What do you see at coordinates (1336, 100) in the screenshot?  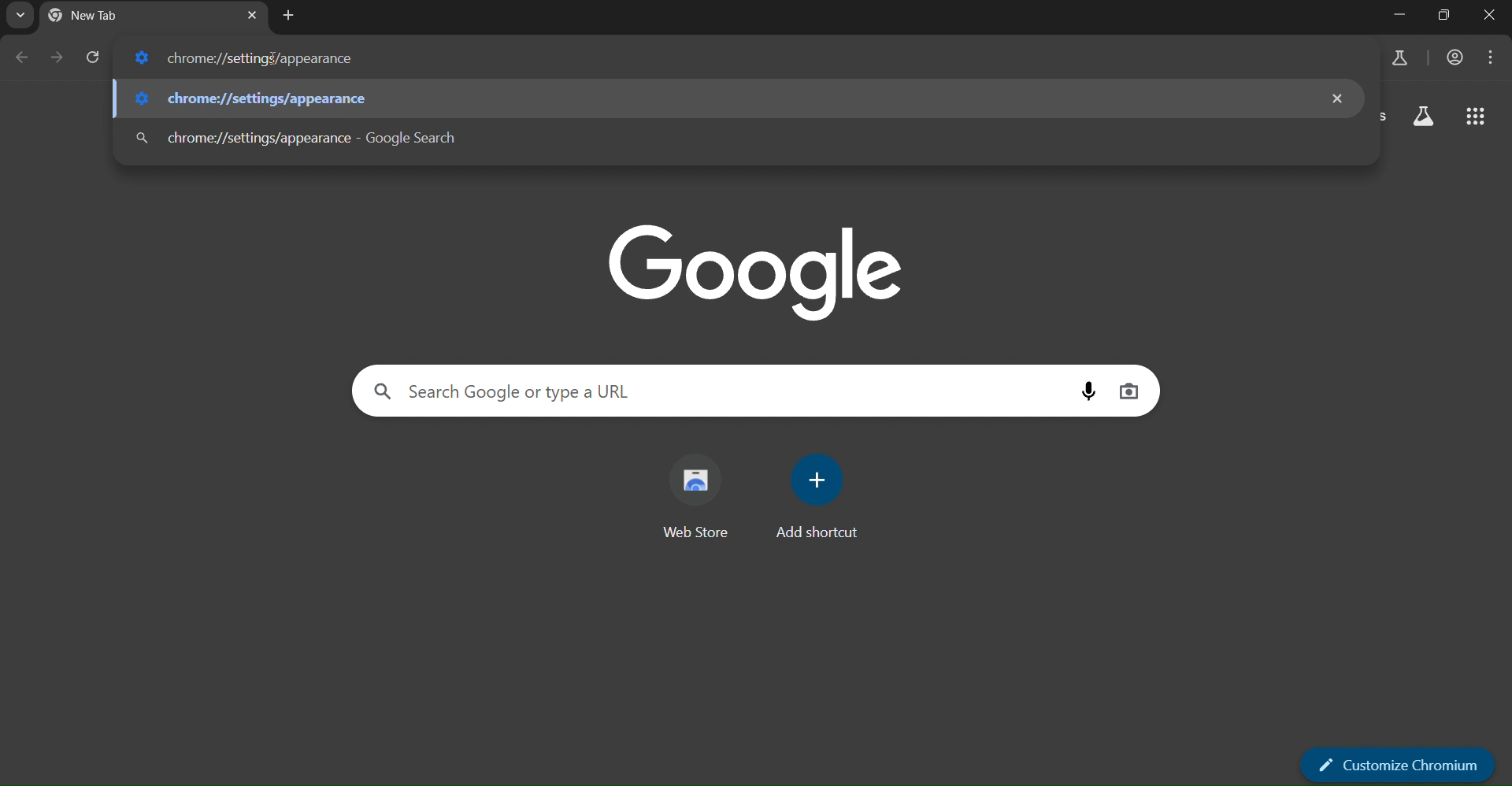 I see `remove` at bounding box center [1336, 100].